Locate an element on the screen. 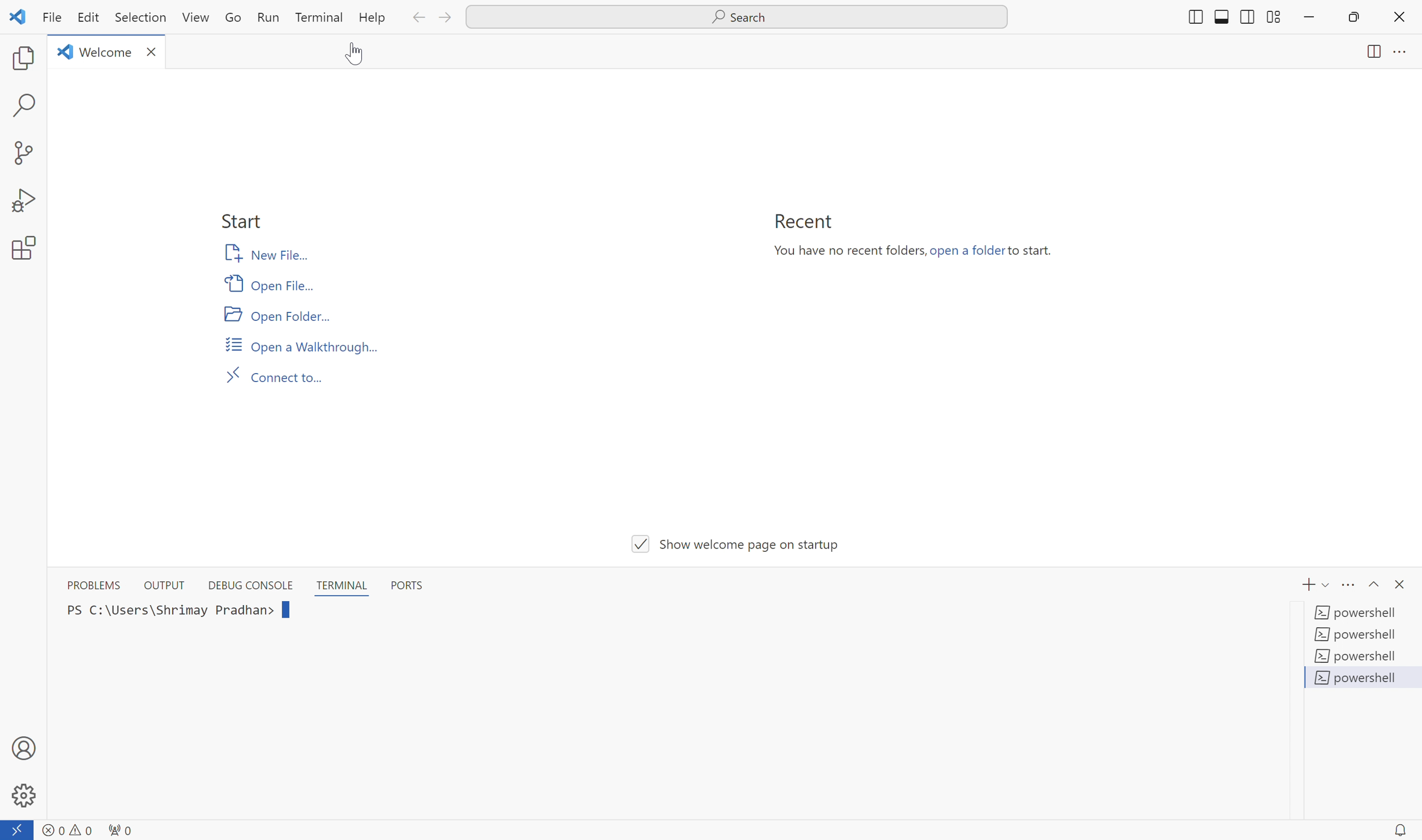  Search is located at coordinates (737, 18).